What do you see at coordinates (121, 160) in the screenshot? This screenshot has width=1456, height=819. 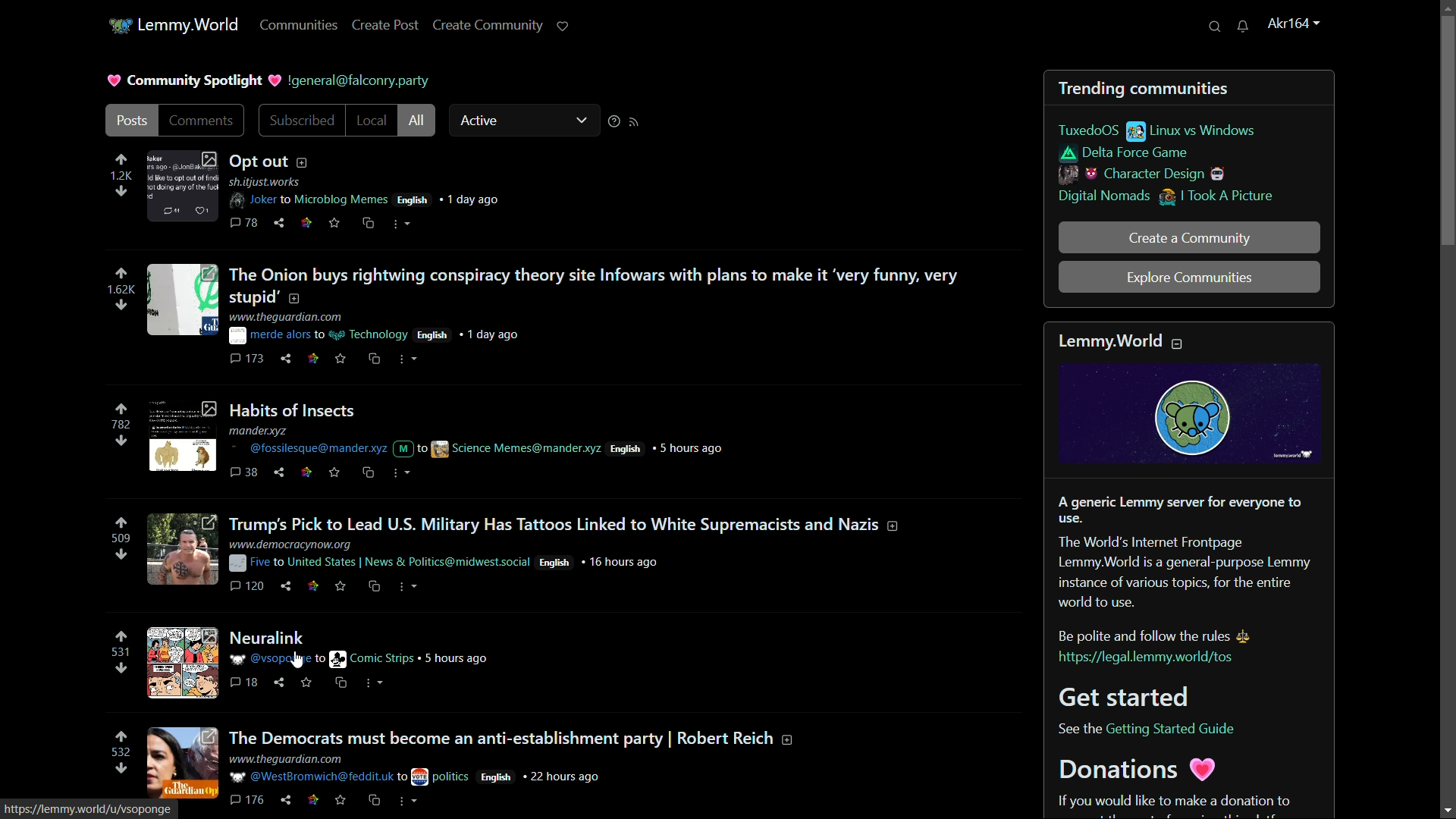 I see `upvote` at bounding box center [121, 160].